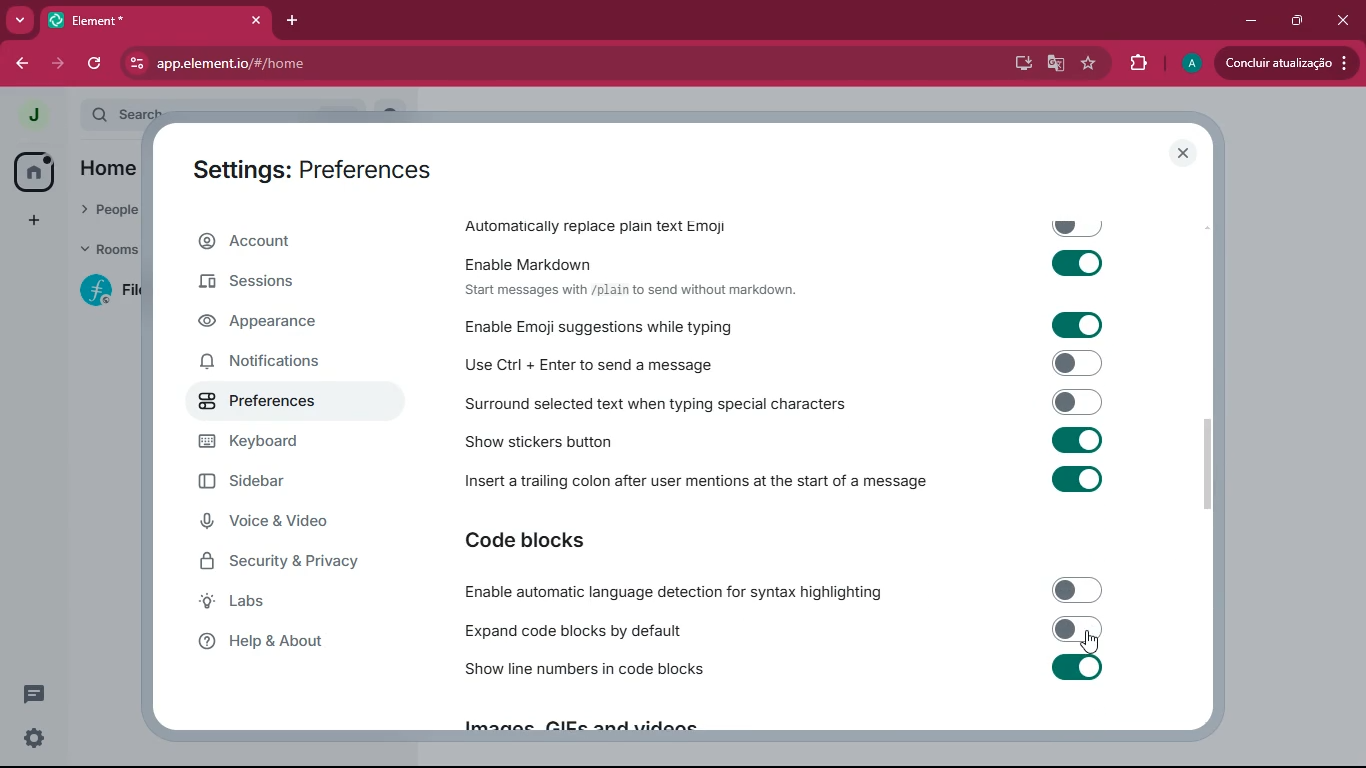  I want to click on refresh, so click(94, 65).